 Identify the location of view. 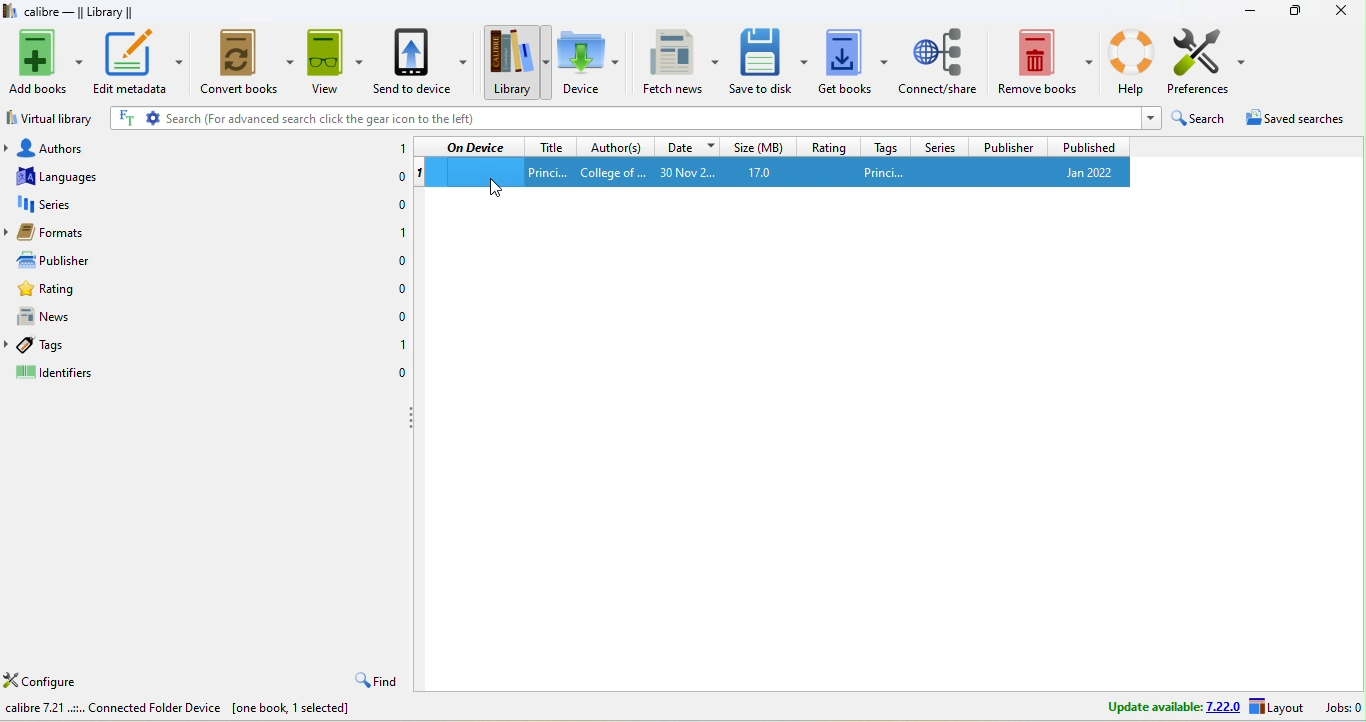
(334, 64).